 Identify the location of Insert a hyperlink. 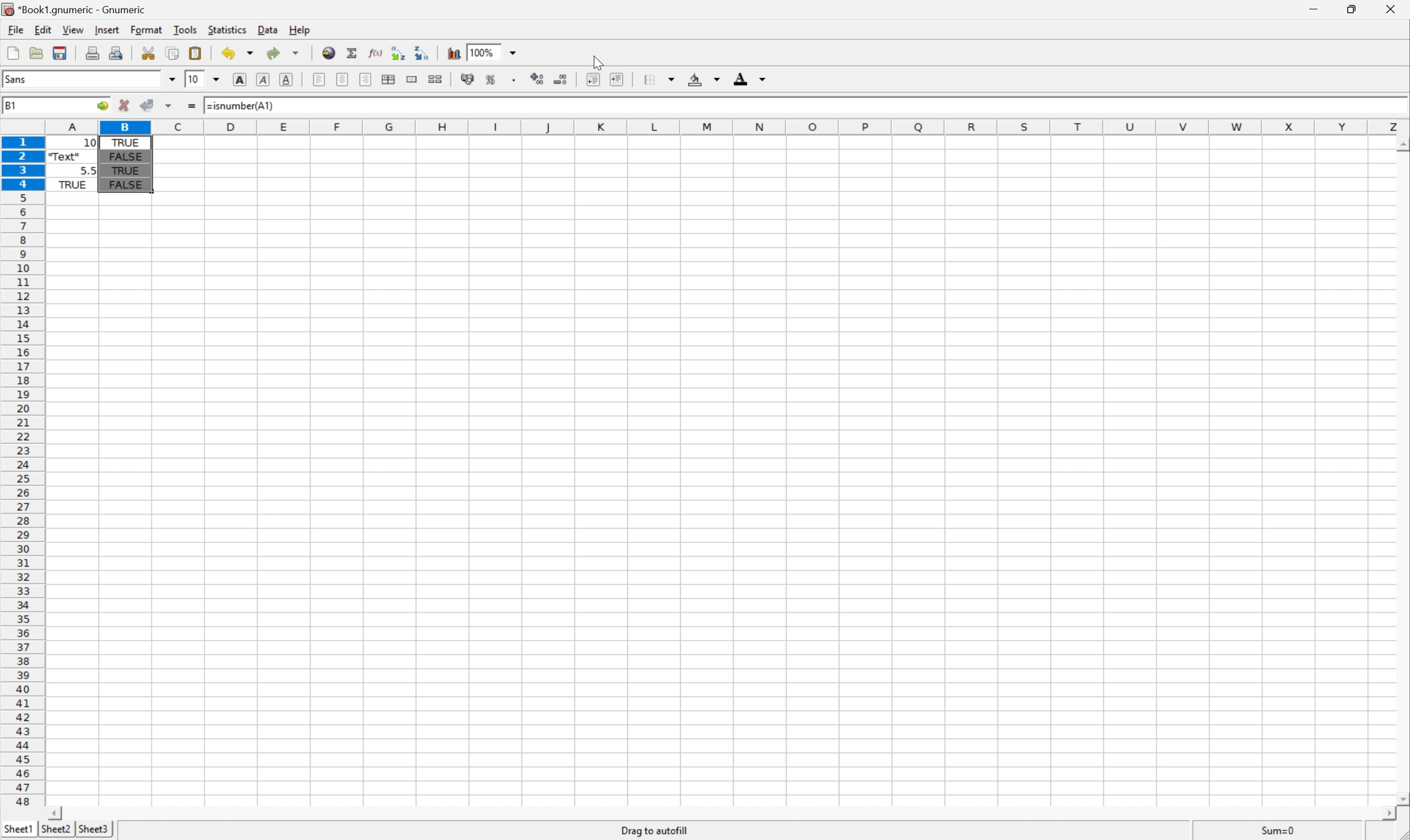
(327, 53).